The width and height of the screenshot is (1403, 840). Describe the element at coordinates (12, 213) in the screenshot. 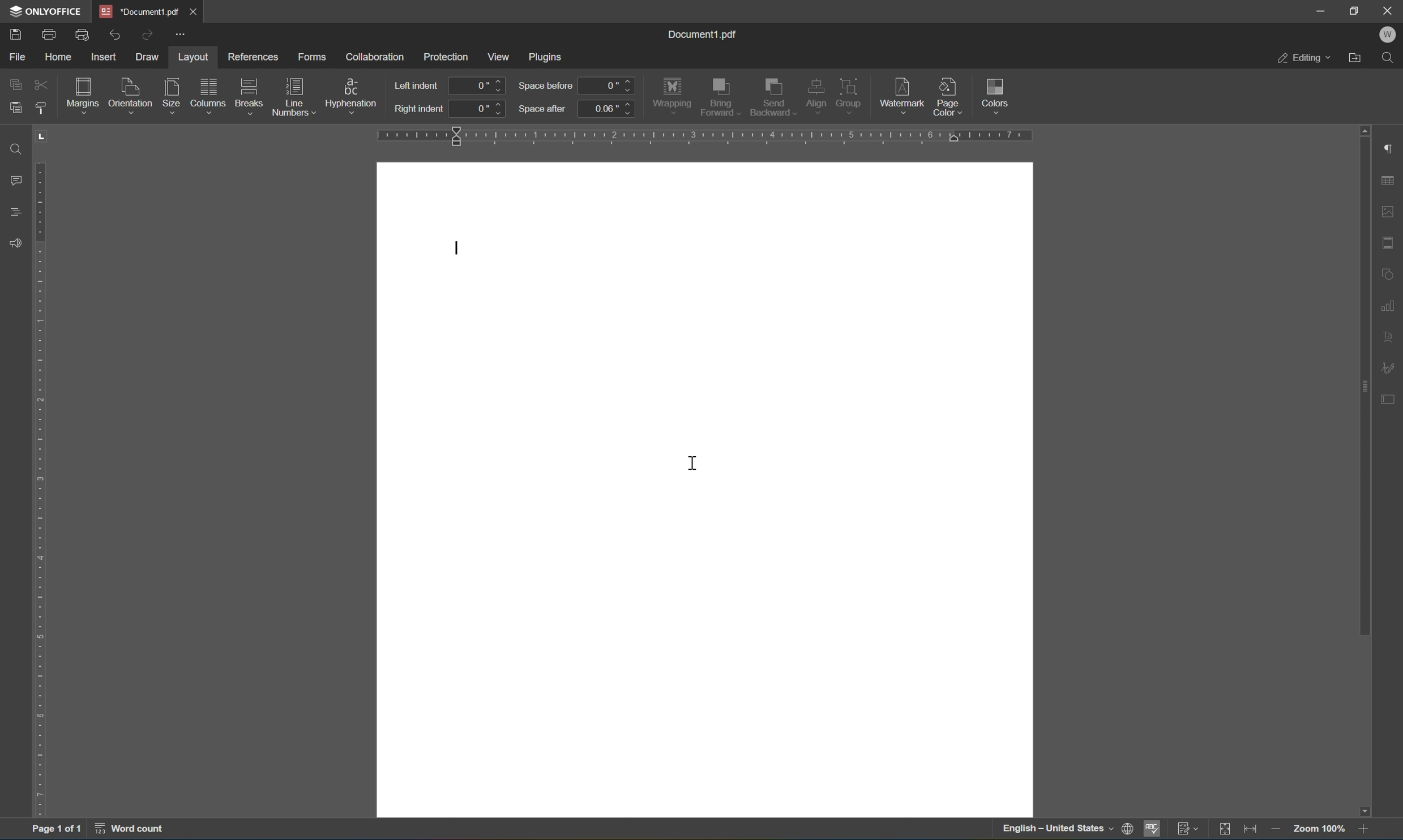

I see `headings` at that location.